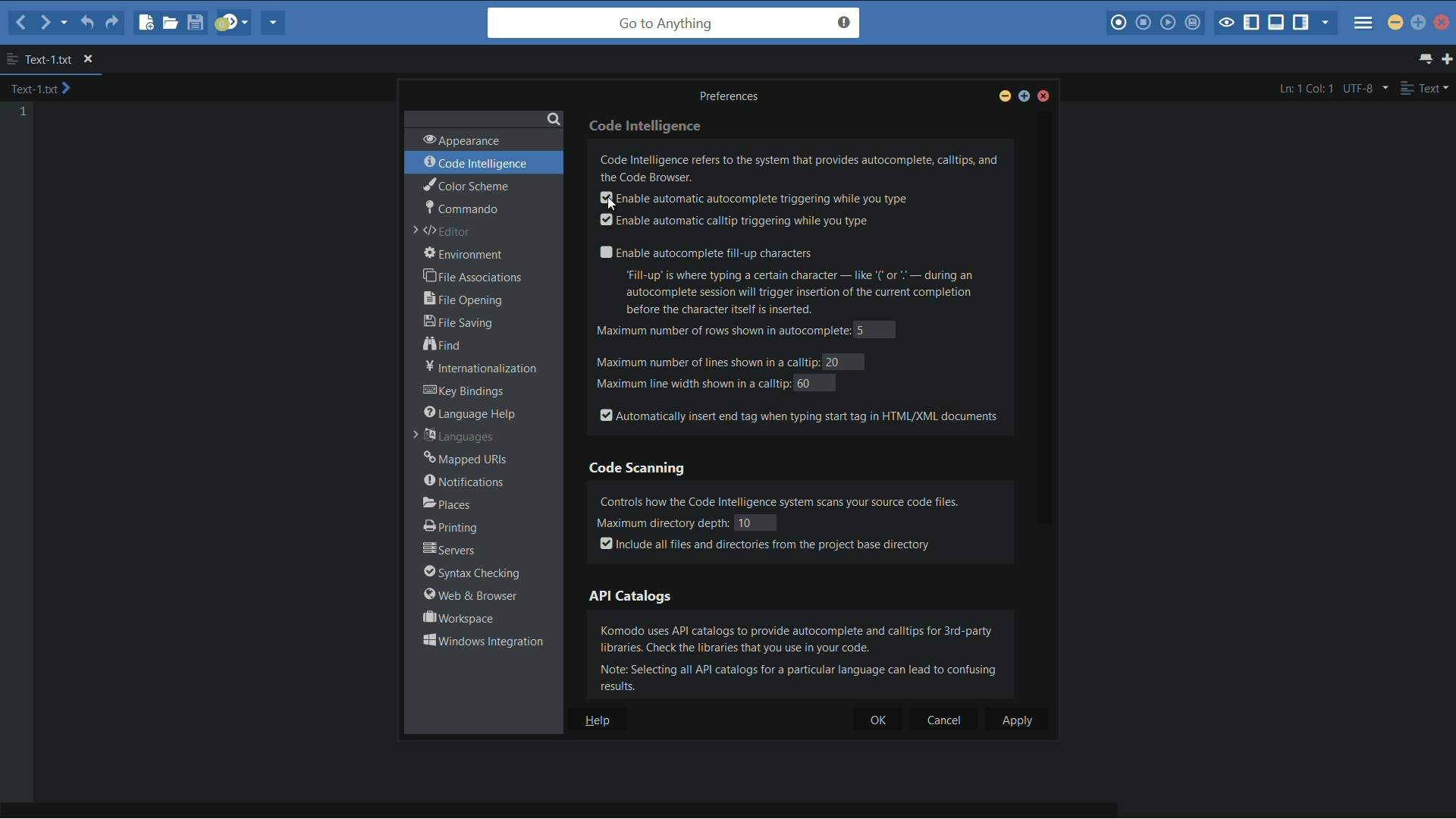  Describe the element at coordinates (834, 362) in the screenshot. I see `20` at that location.